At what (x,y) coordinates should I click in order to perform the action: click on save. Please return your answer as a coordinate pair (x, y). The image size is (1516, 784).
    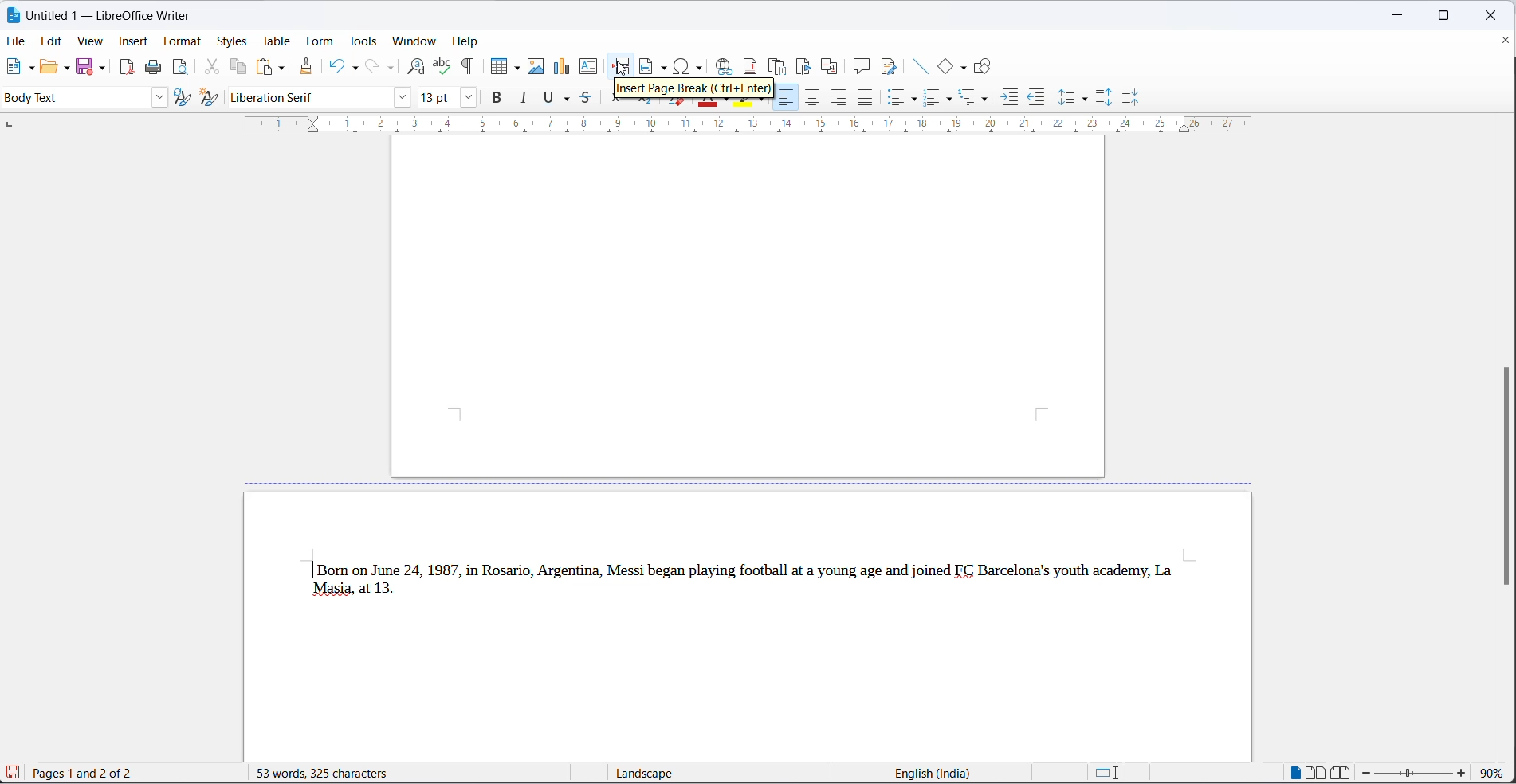
    Looking at the image, I should click on (84, 68).